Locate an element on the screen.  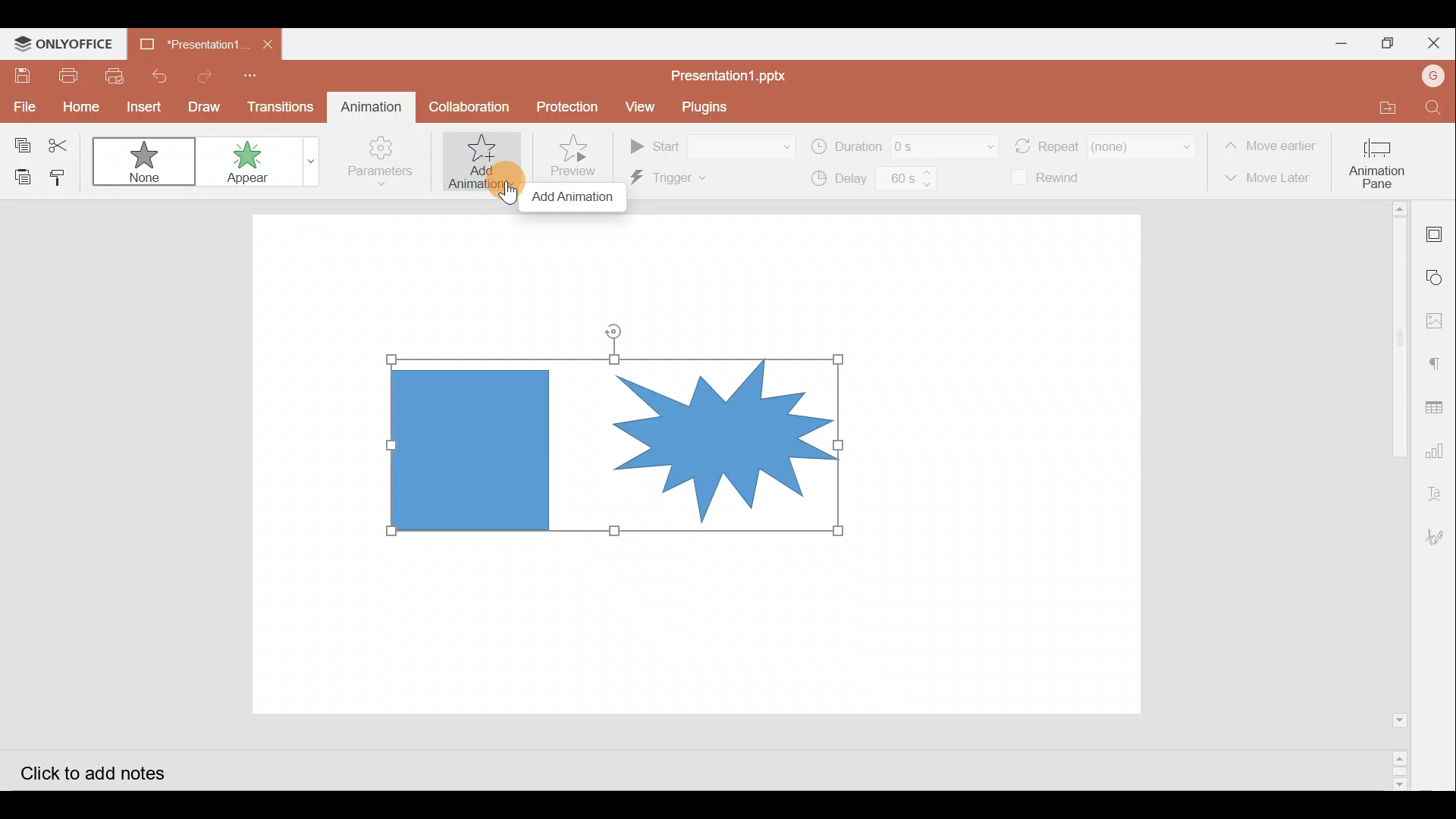
Rewind is located at coordinates (1050, 179).